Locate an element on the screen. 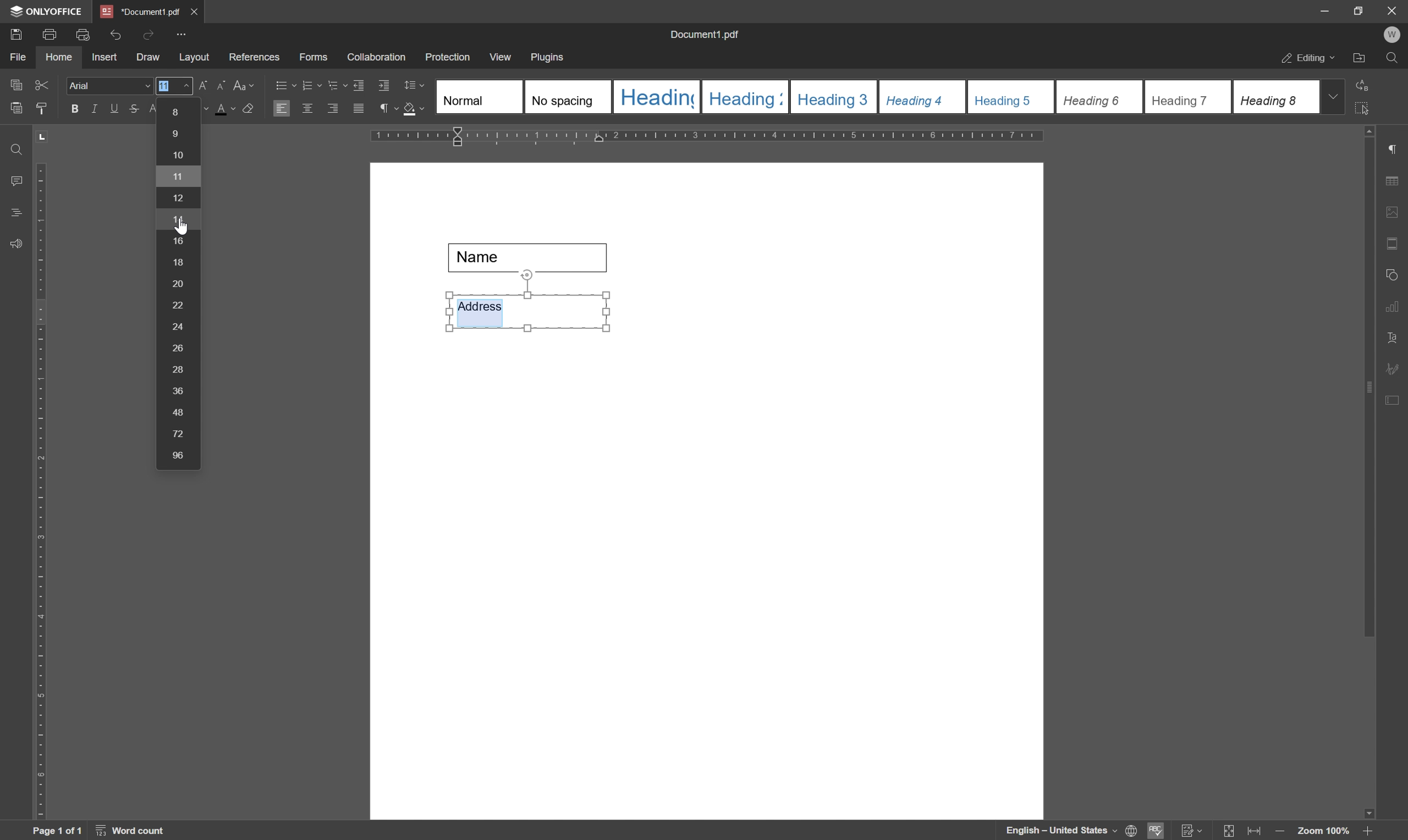 The height and width of the screenshot is (840, 1408). replace is located at coordinates (1364, 83).